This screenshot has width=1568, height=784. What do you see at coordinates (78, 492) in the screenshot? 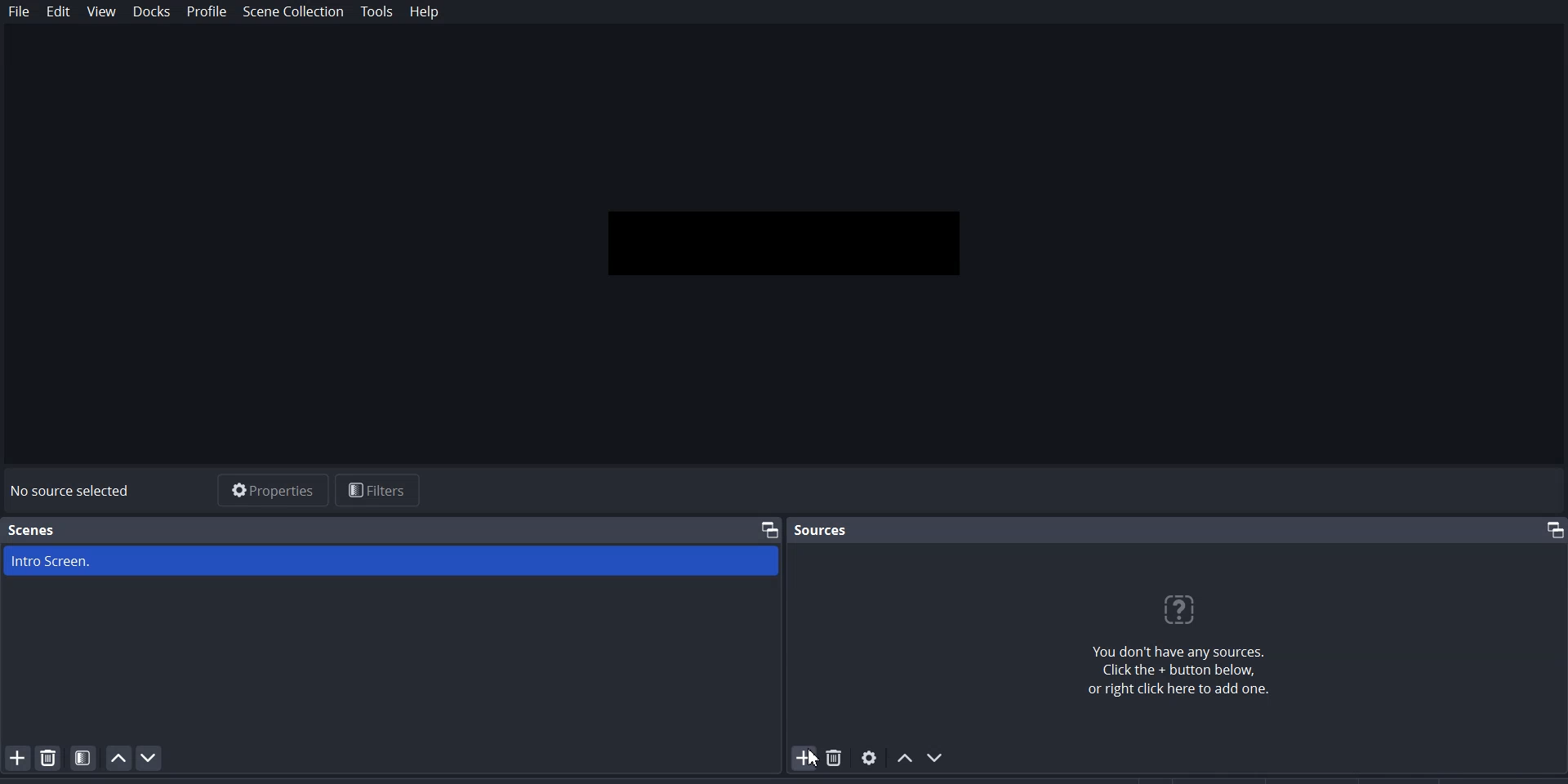
I see `No source selected` at bounding box center [78, 492].